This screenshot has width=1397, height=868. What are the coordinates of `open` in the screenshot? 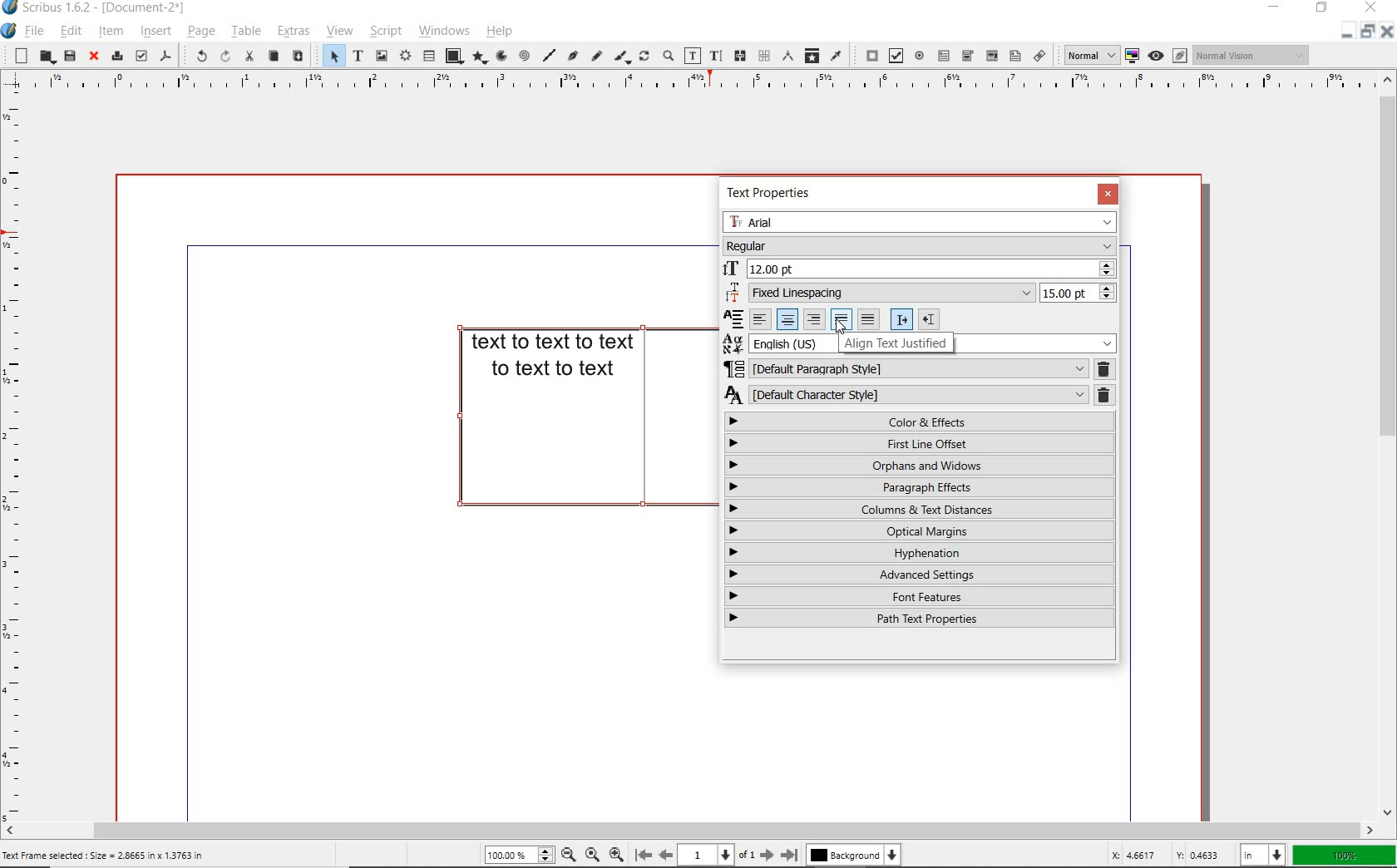 It's located at (46, 57).